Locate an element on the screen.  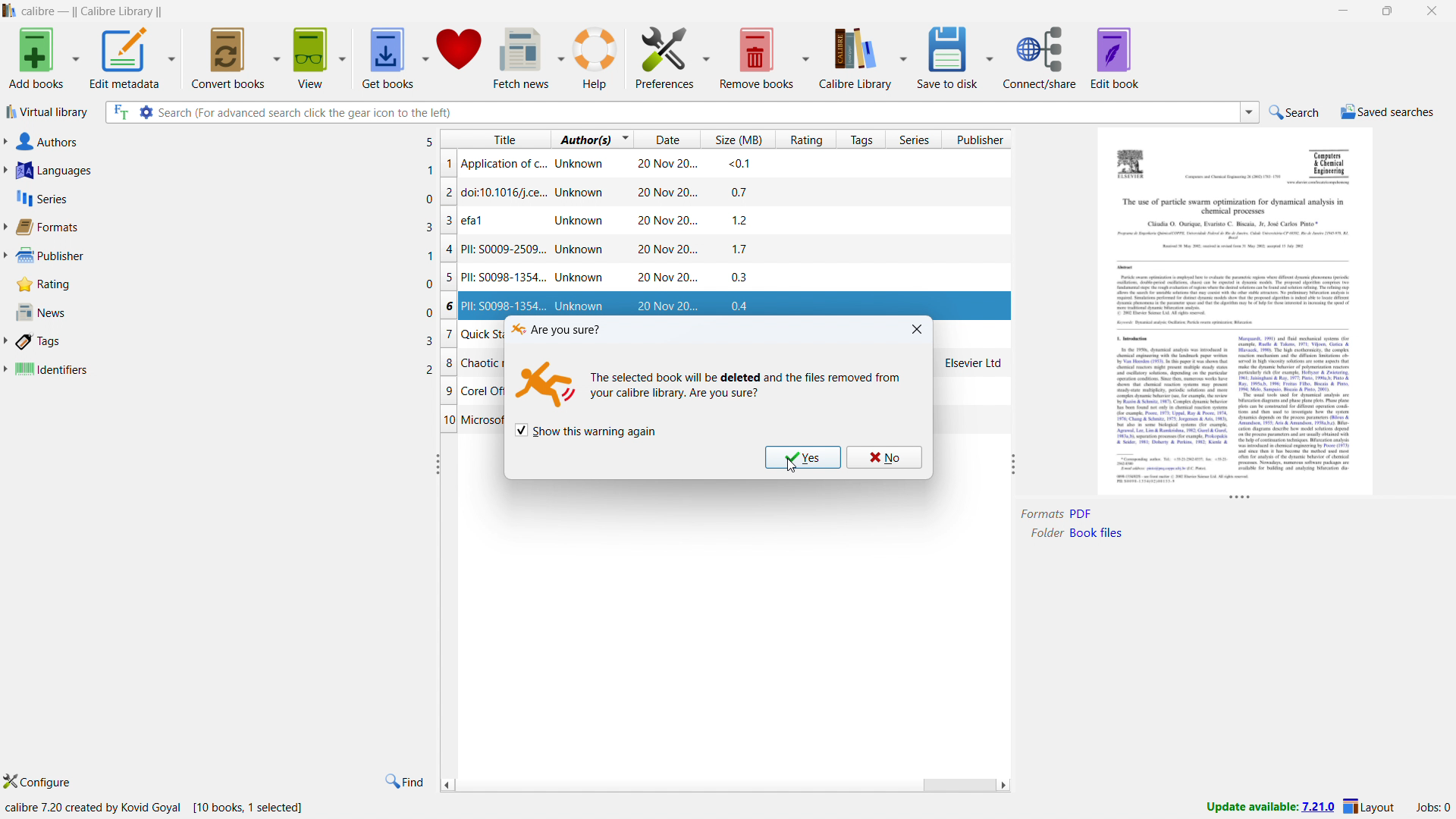
news is located at coordinates (223, 311).